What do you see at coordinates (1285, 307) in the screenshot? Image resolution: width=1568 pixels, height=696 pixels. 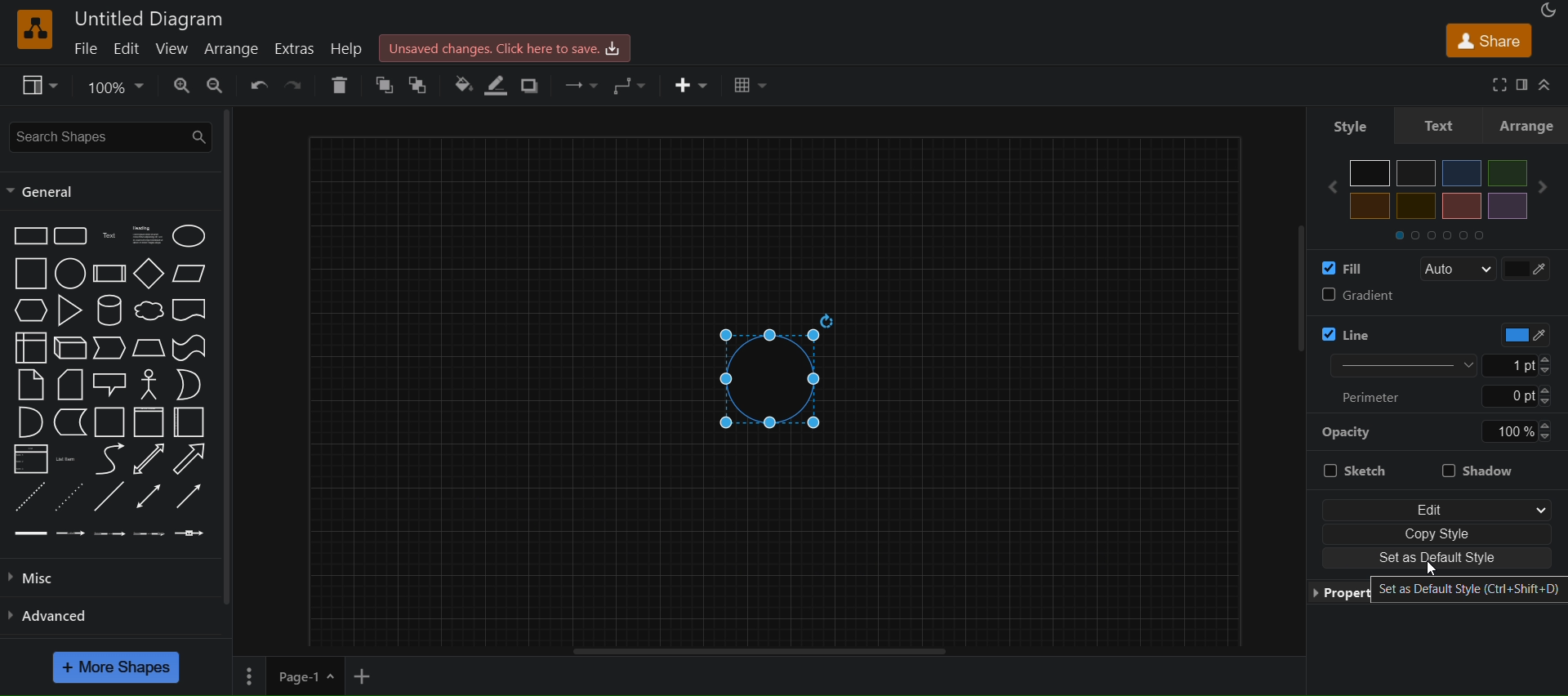 I see `scroll` at bounding box center [1285, 307].